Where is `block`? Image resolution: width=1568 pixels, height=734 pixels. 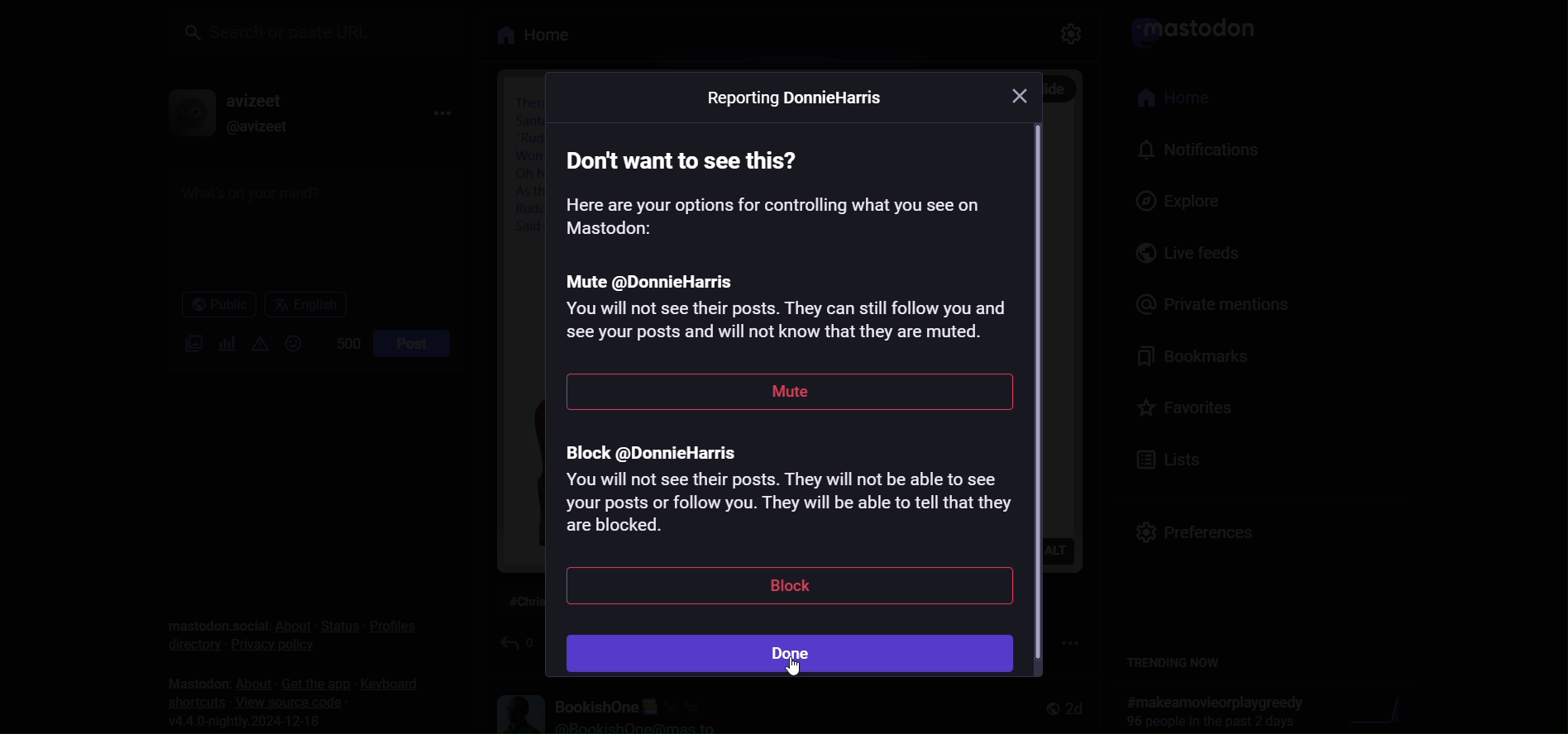 block is located at coordinates (786, 589).